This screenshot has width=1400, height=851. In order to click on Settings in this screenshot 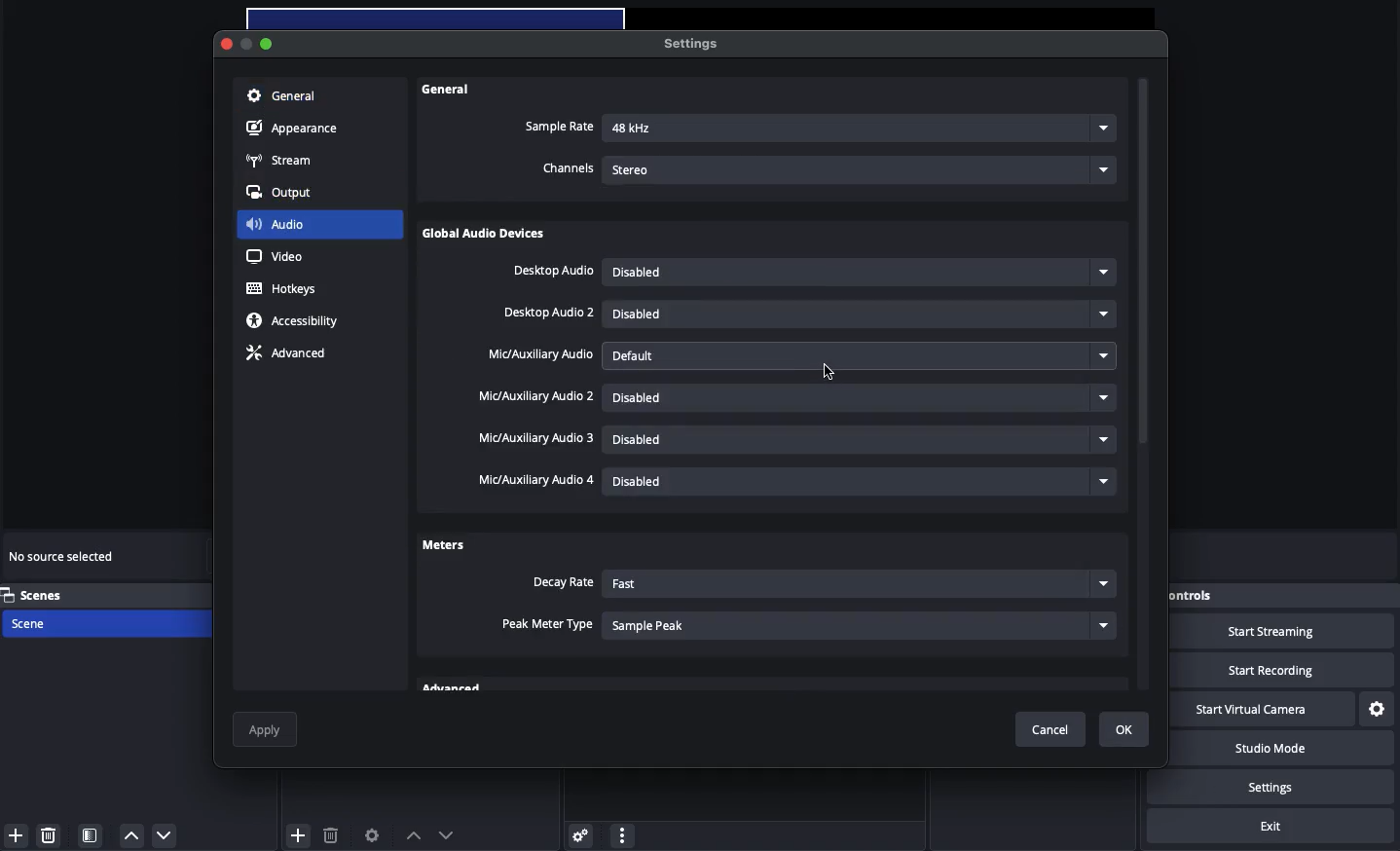, I will do `click(688, 43)`.